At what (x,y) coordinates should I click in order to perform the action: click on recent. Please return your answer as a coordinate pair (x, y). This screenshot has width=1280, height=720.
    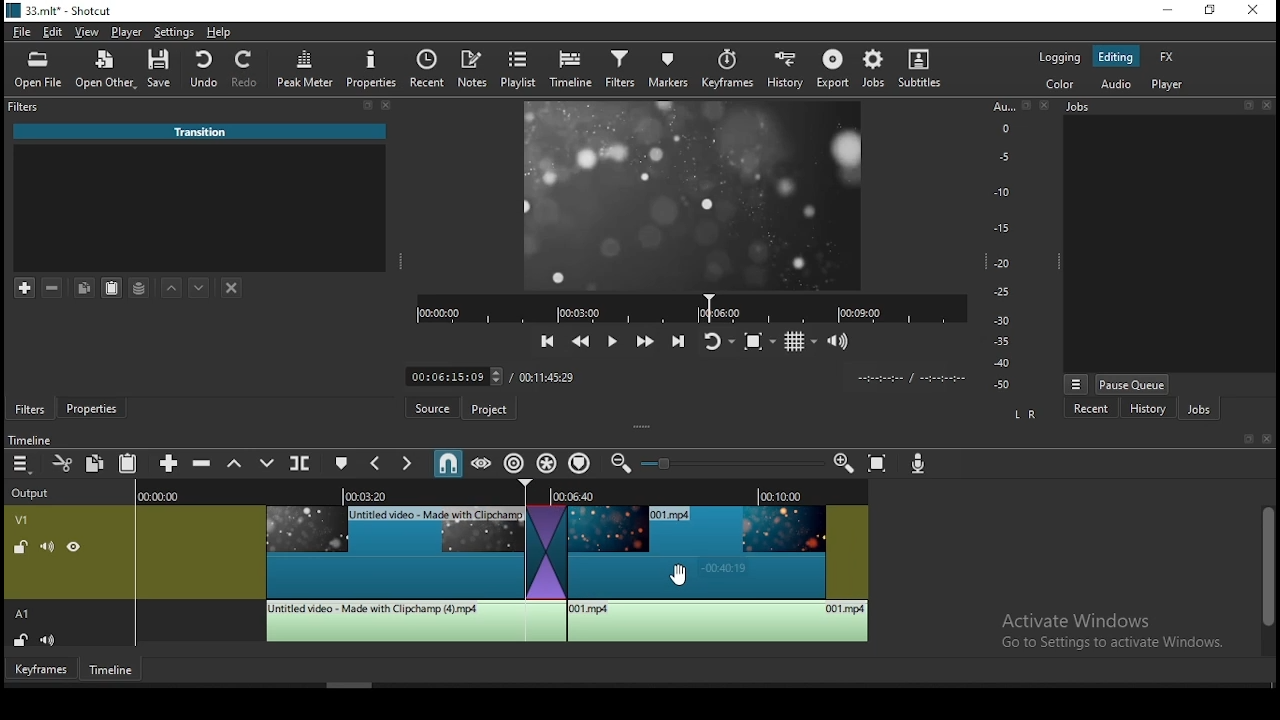
    Looking at the image, I should click on (1091, 409).